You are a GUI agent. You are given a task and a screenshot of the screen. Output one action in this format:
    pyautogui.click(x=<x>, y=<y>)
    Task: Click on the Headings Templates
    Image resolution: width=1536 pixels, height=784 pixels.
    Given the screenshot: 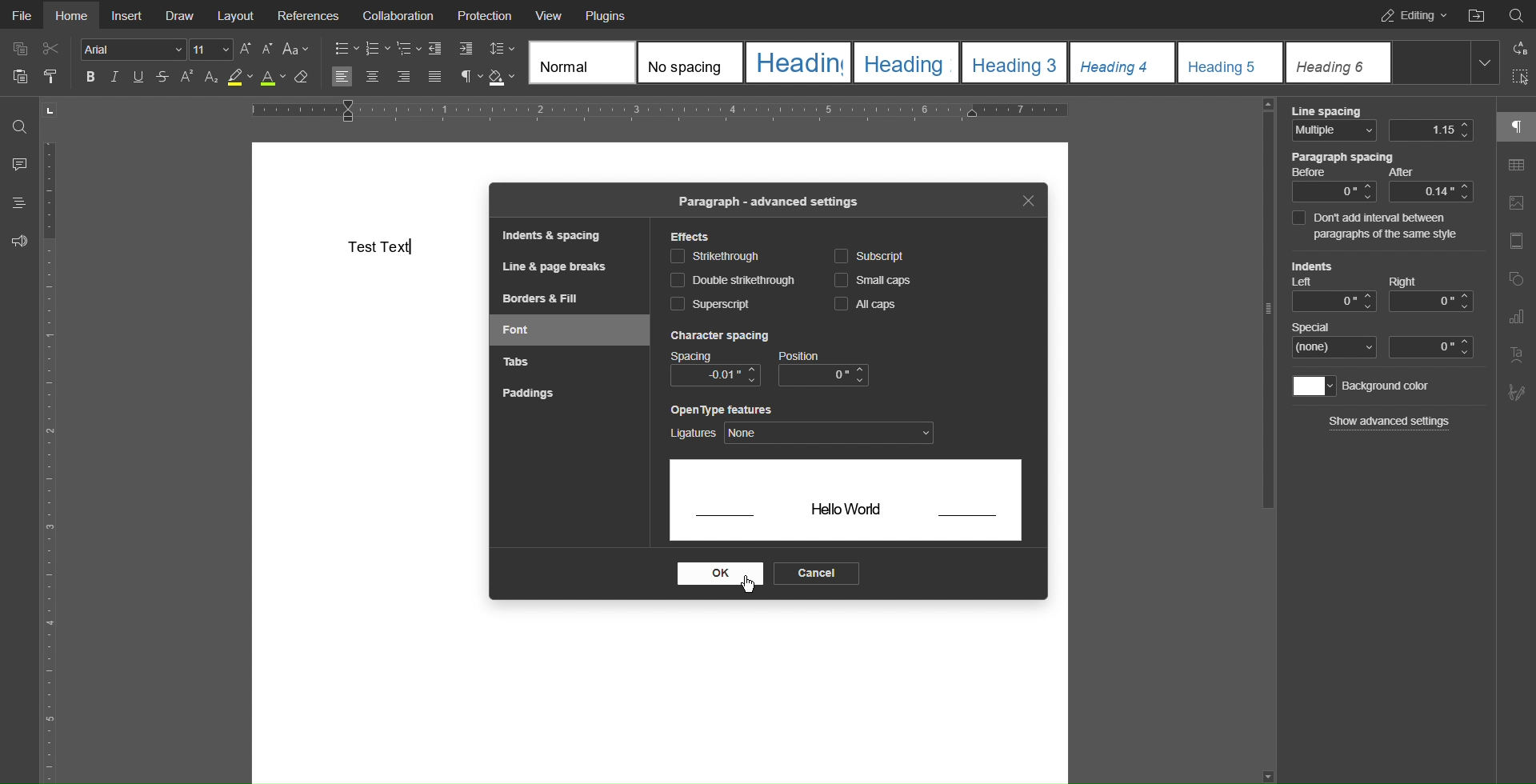 What is the action you would take?
    pyautogui.click(x=1010, y=63)
    